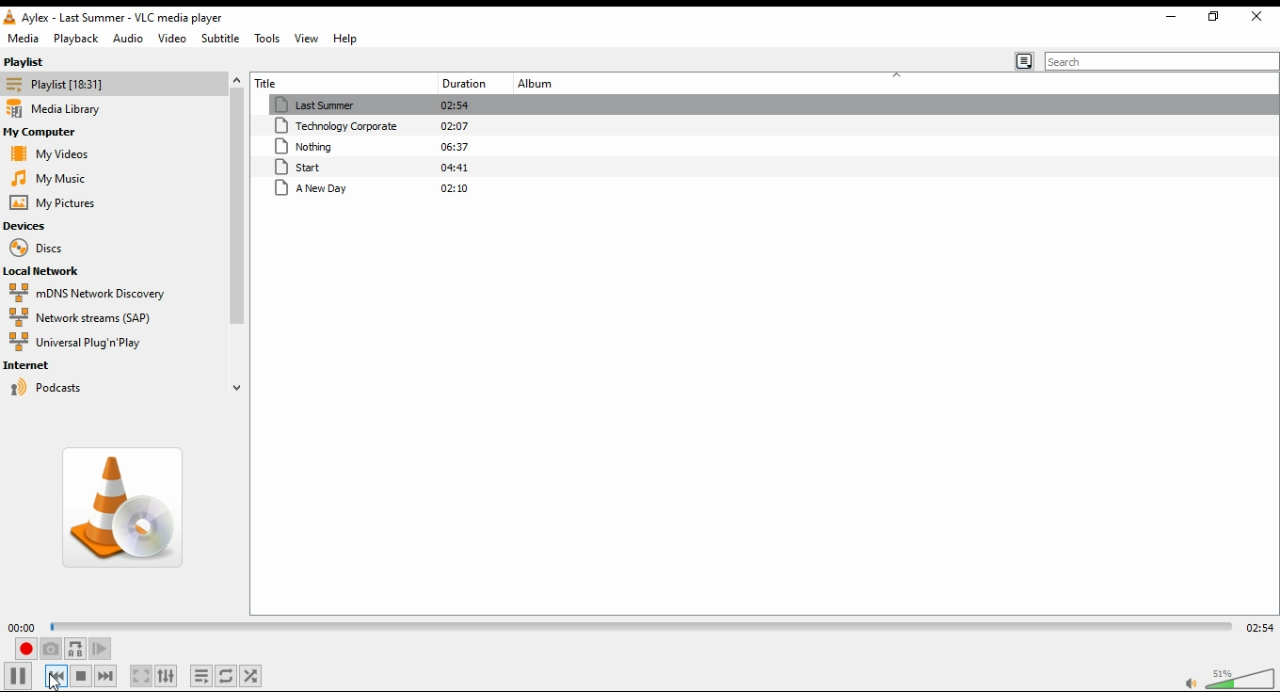 The width and height of the screenshot is (1280, 692). Describe the element at coordinates (1242, 677) in the screenshot. I see `volume` at that location.